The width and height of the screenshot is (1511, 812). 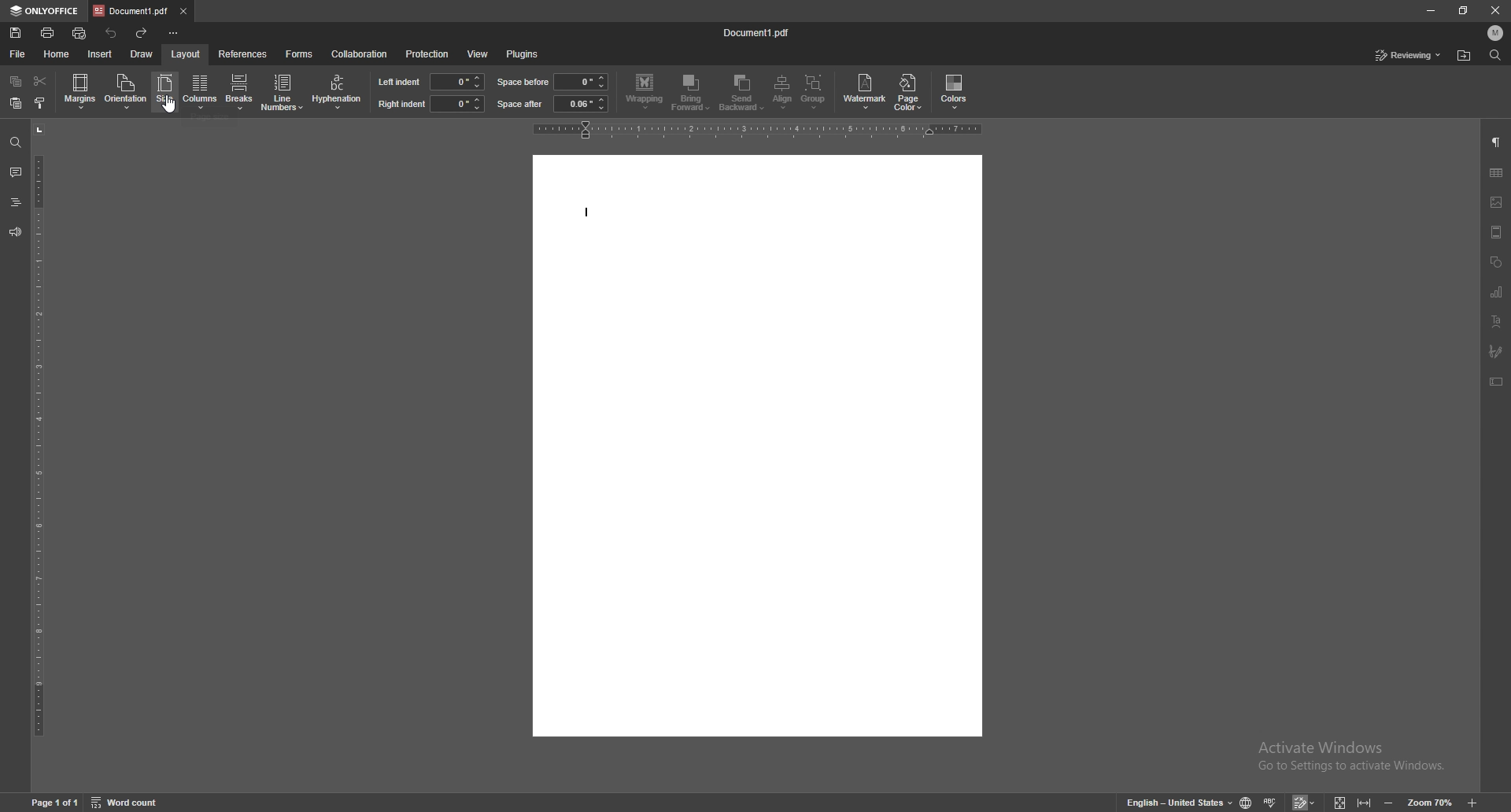 I want to click on text box, so click(x=1497, y=382).